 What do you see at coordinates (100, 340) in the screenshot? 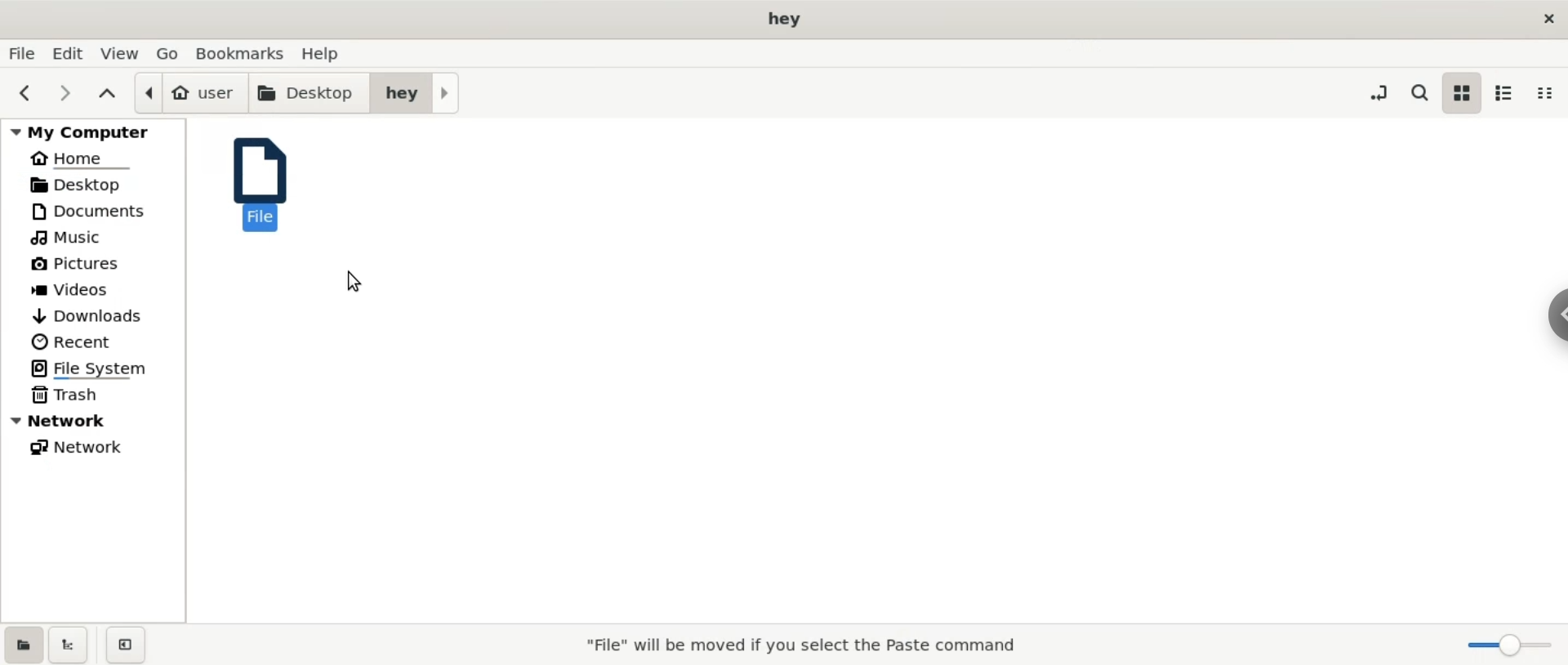
I see `recent` at bounding box center [100, 340].